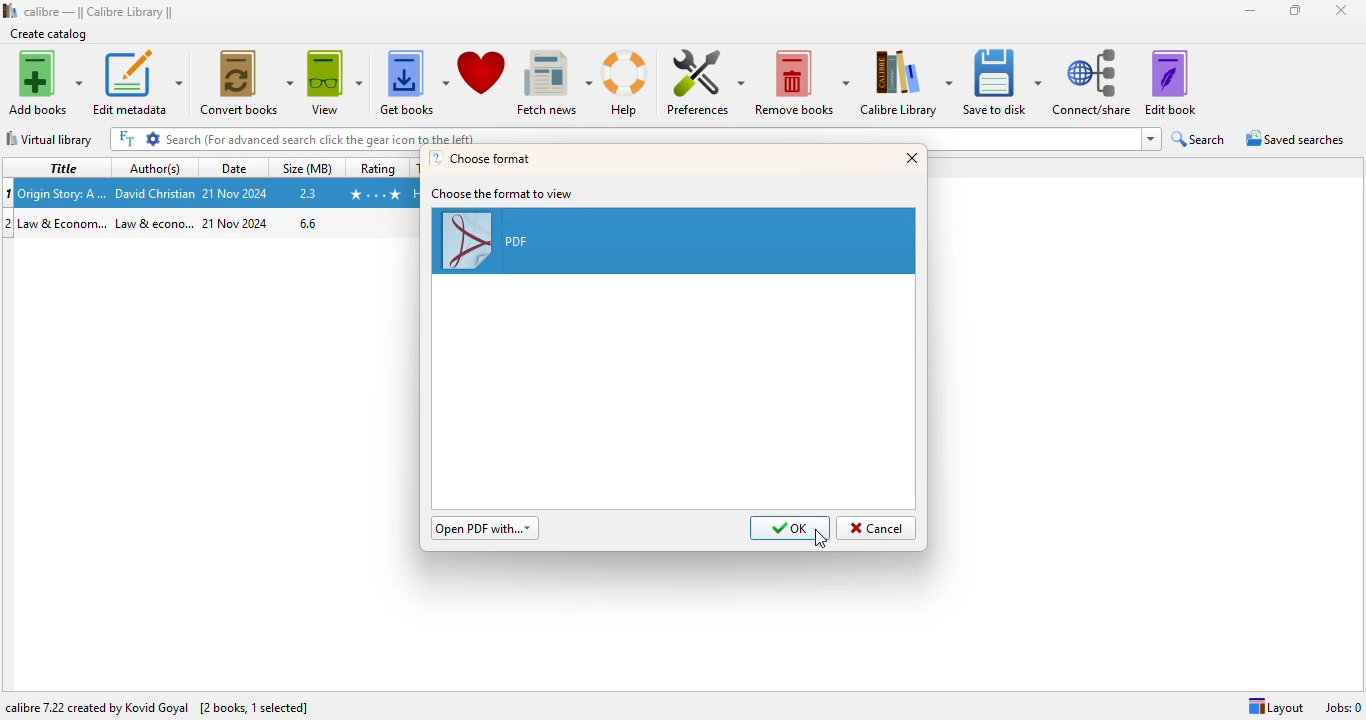 This screenshot has width=1366, height=720. I want to click on date, so click(236, 193).